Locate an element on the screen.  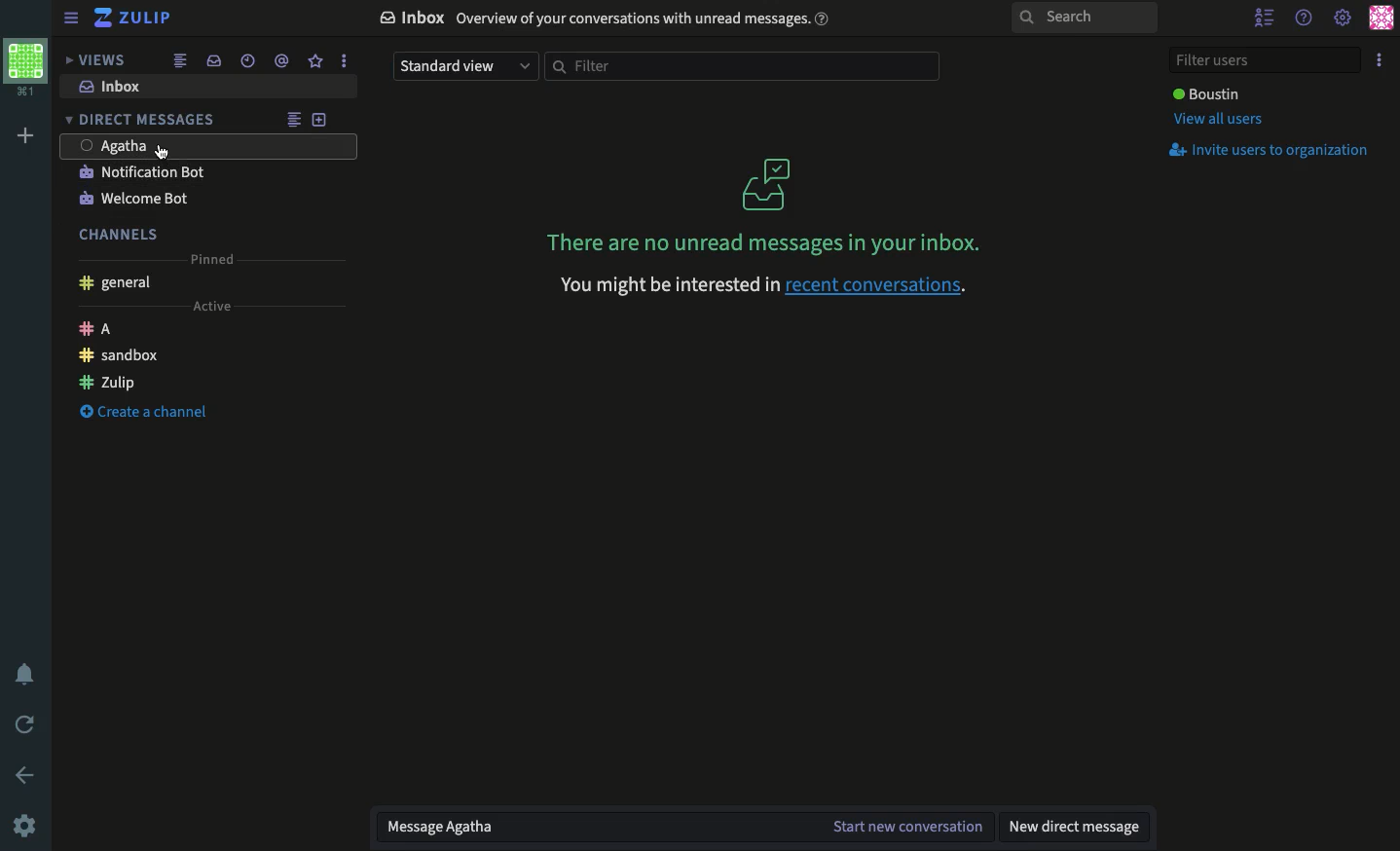
Sandbox is located at coordinates (120, 355).